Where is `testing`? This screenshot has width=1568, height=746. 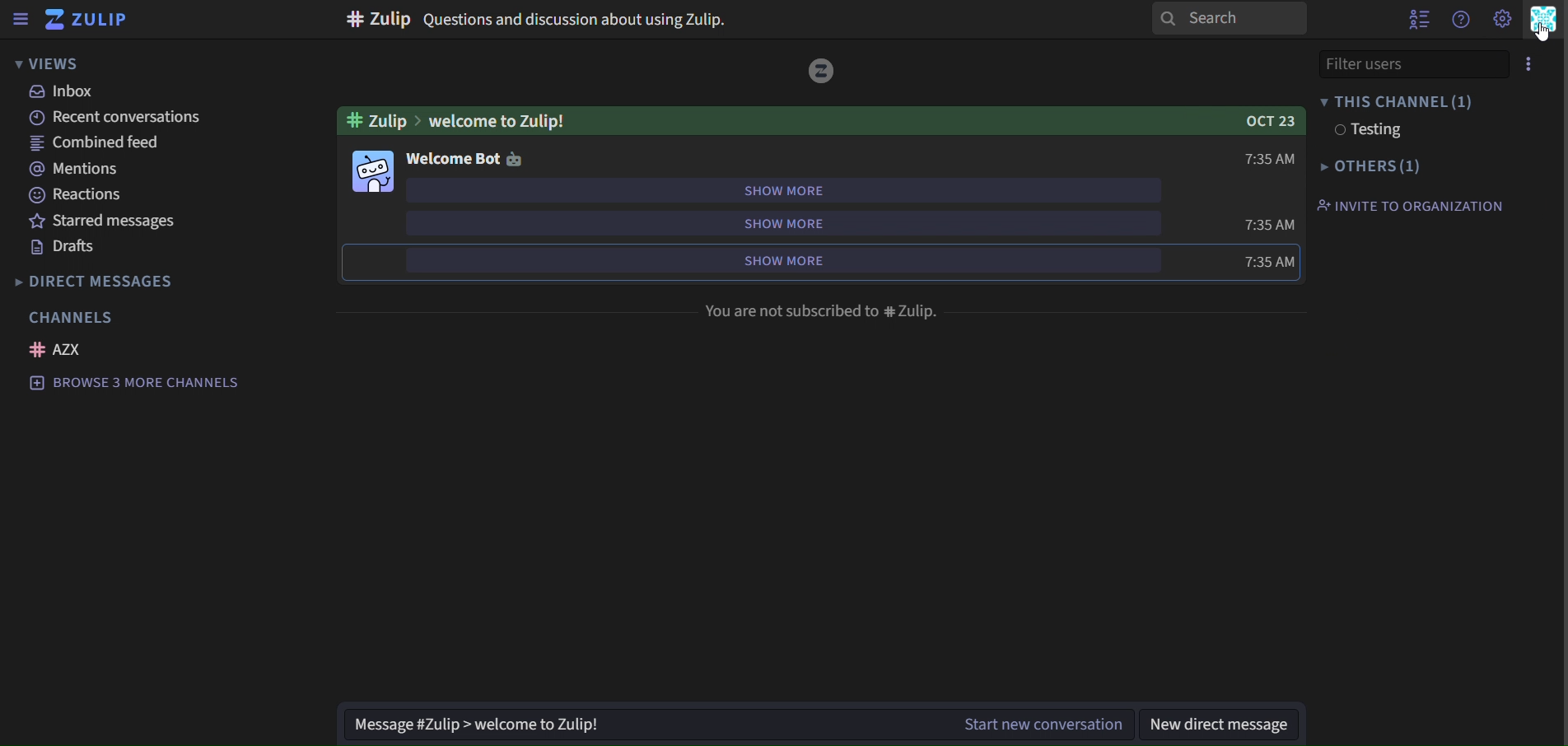 testing is located at coordinates (1366, 130).